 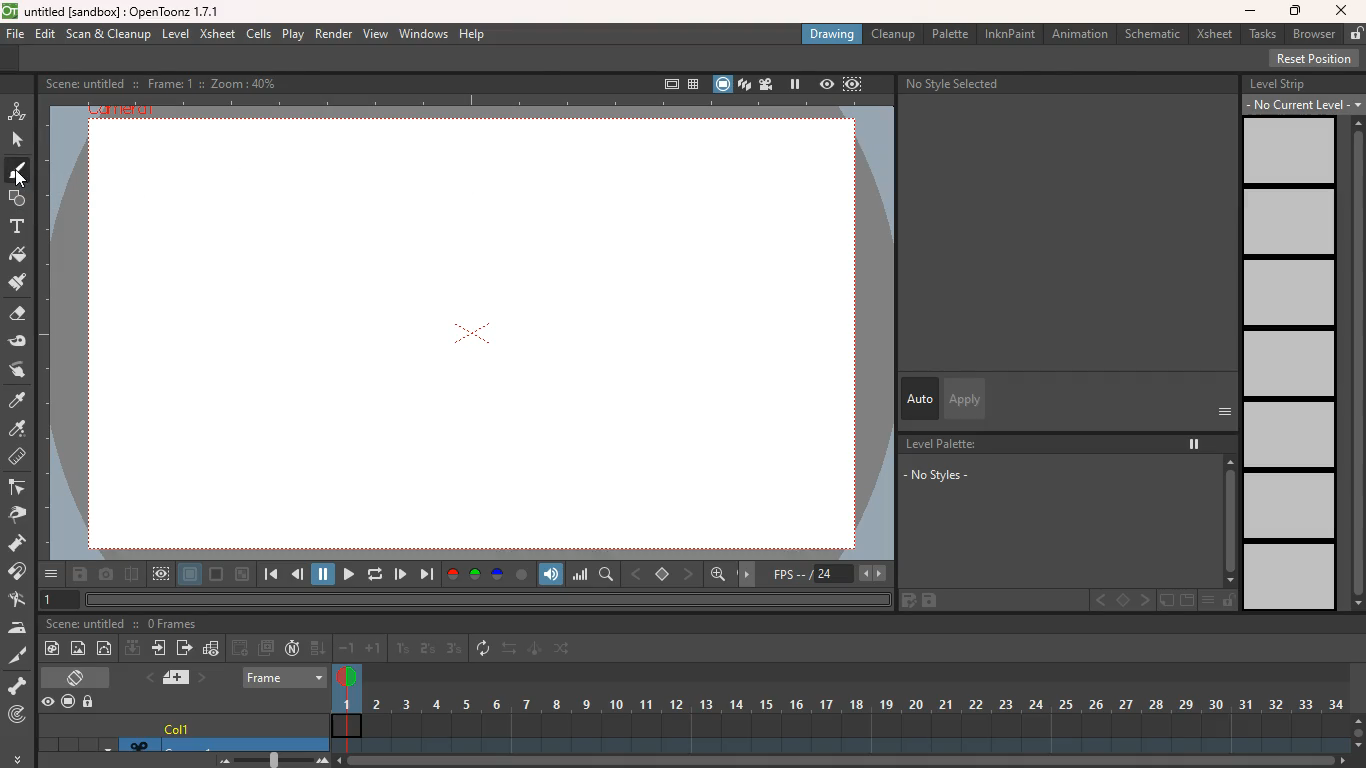 I want to click on swap, so click(x=511, y=650).